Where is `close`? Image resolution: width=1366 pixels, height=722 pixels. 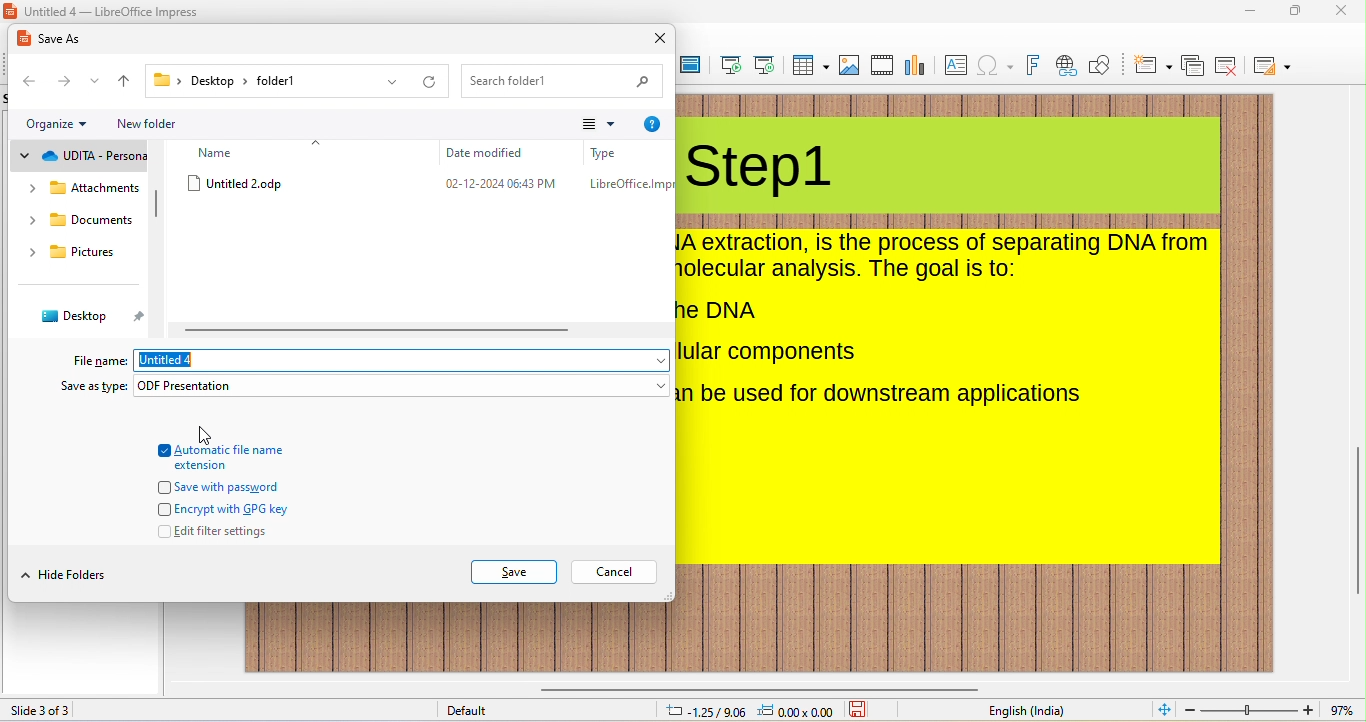
close is located at coordinates (661, 41).